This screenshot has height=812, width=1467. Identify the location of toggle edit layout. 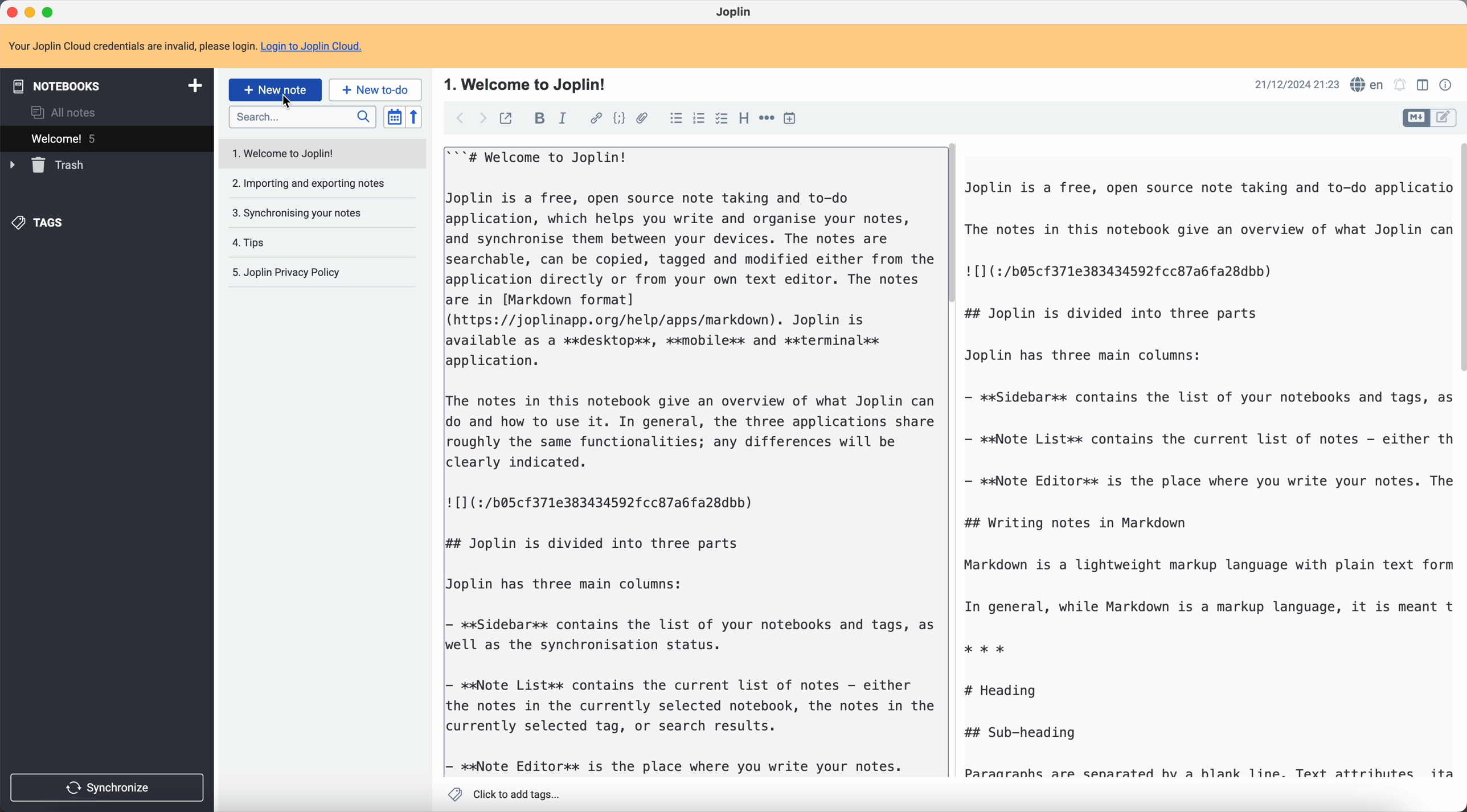
(1422, 84).